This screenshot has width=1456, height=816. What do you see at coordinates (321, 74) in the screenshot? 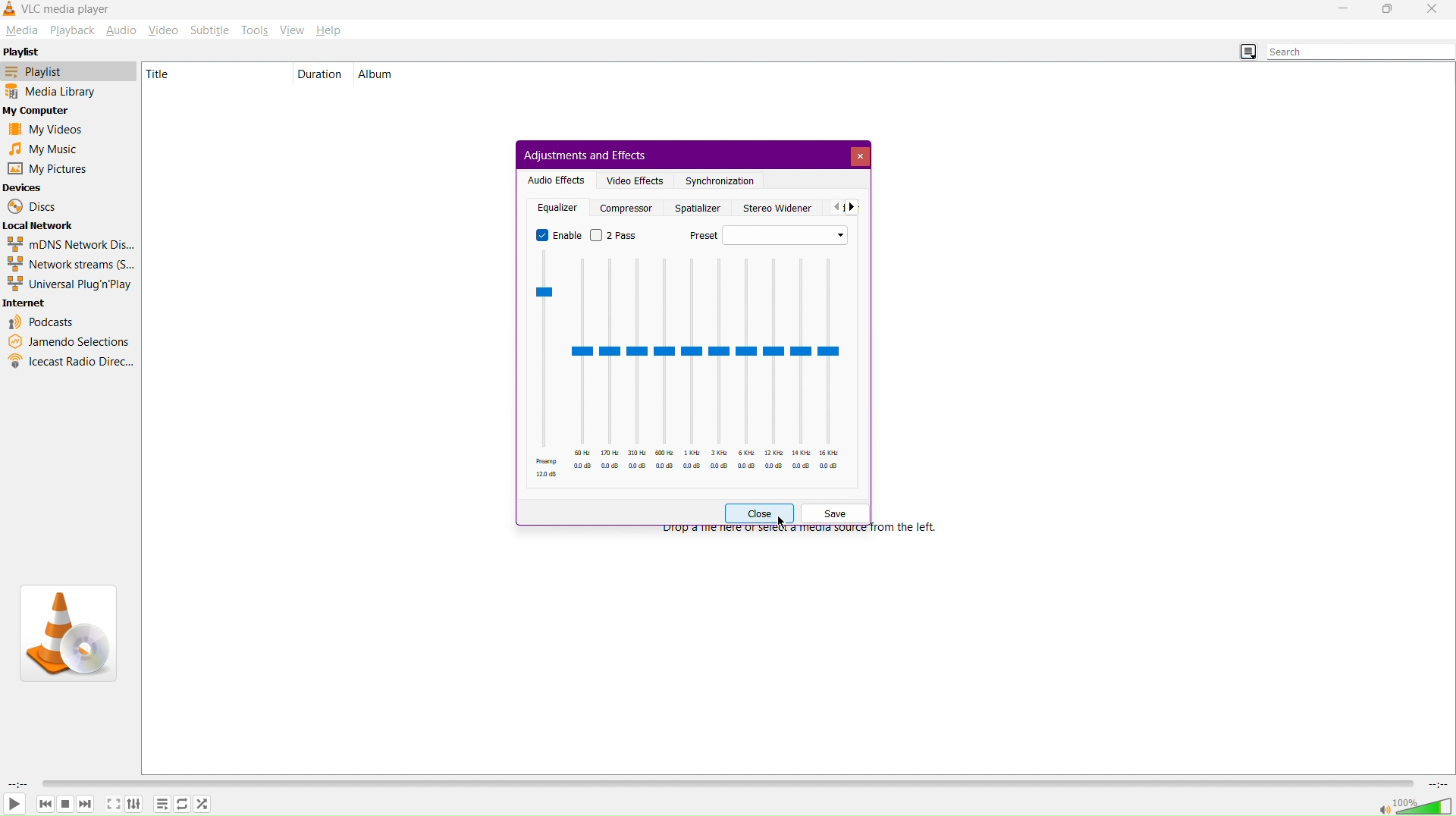
I see `Duration` at bounding box center [321, 74].